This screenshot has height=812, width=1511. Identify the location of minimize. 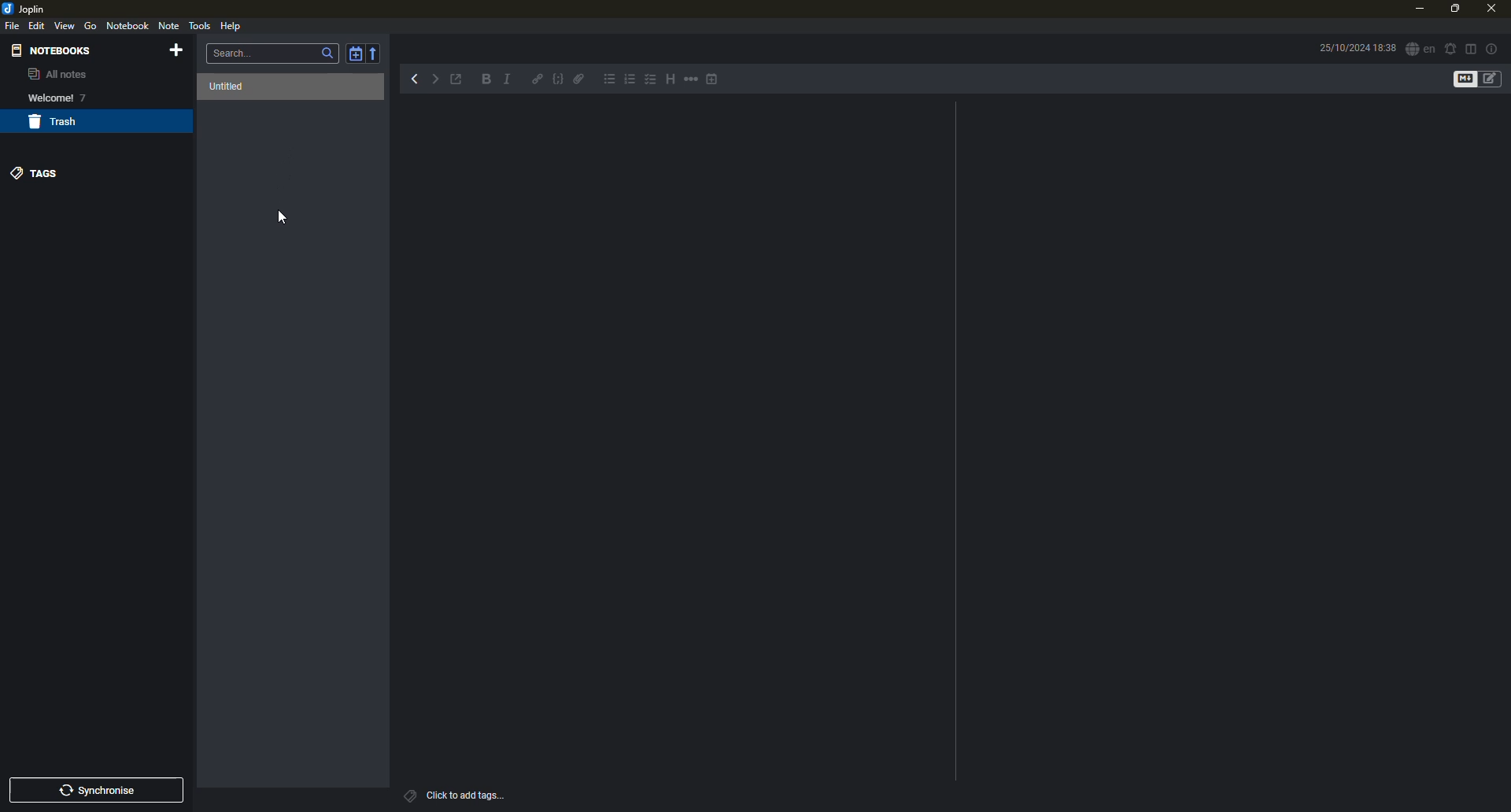
(1417, 9).